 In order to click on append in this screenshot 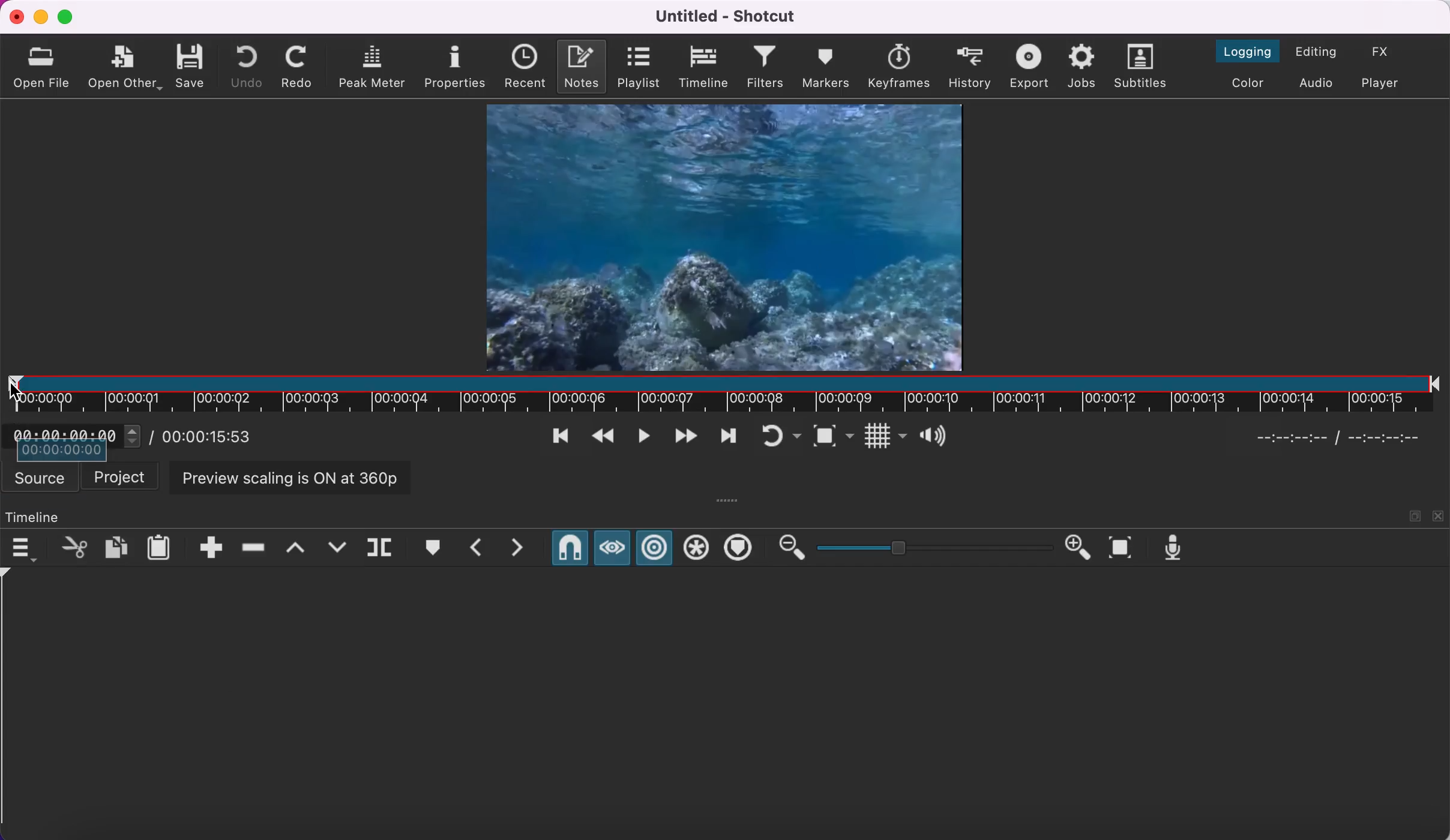, I will do `click(210, 547)`.